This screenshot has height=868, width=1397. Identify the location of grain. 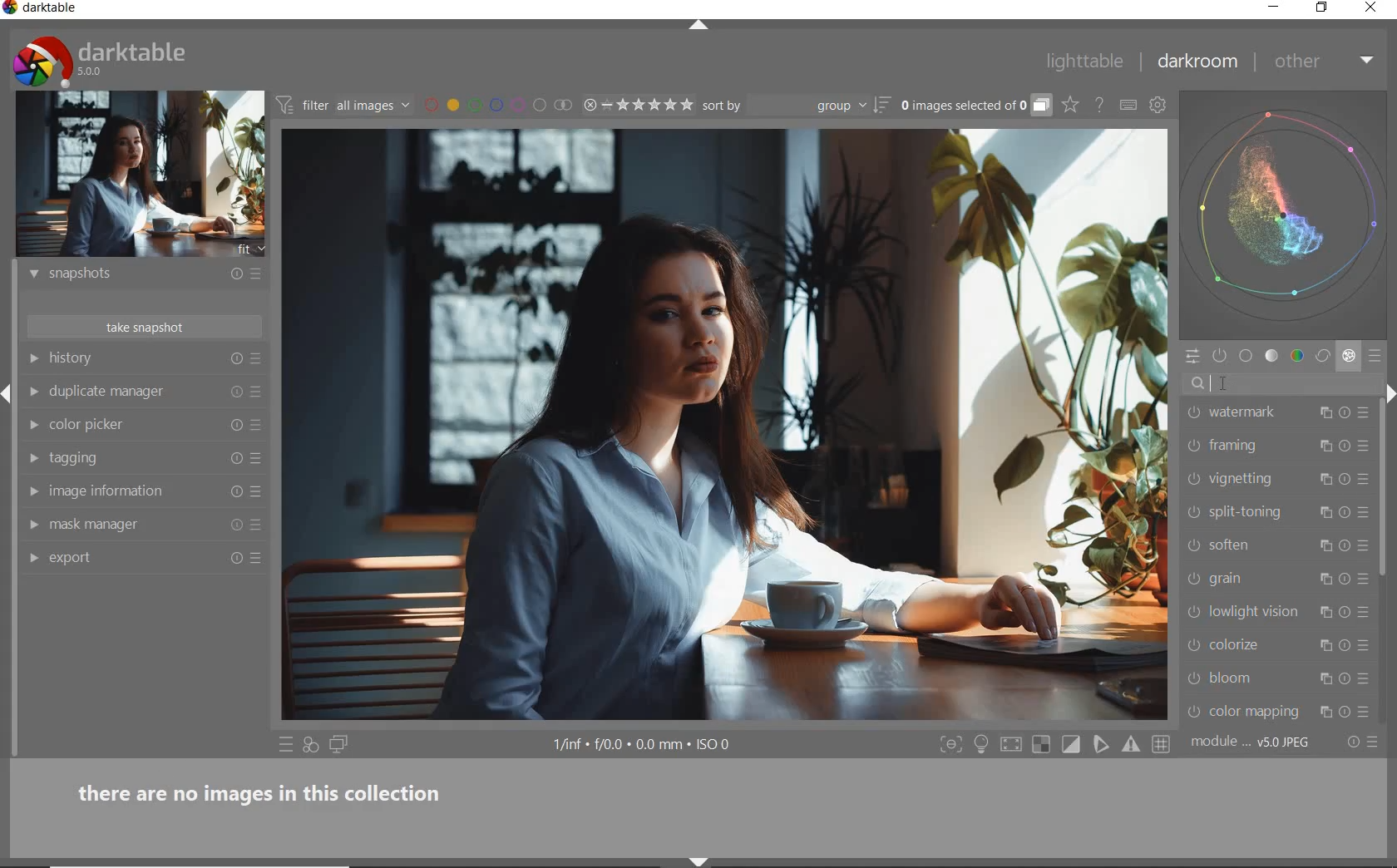
(1258, 579).